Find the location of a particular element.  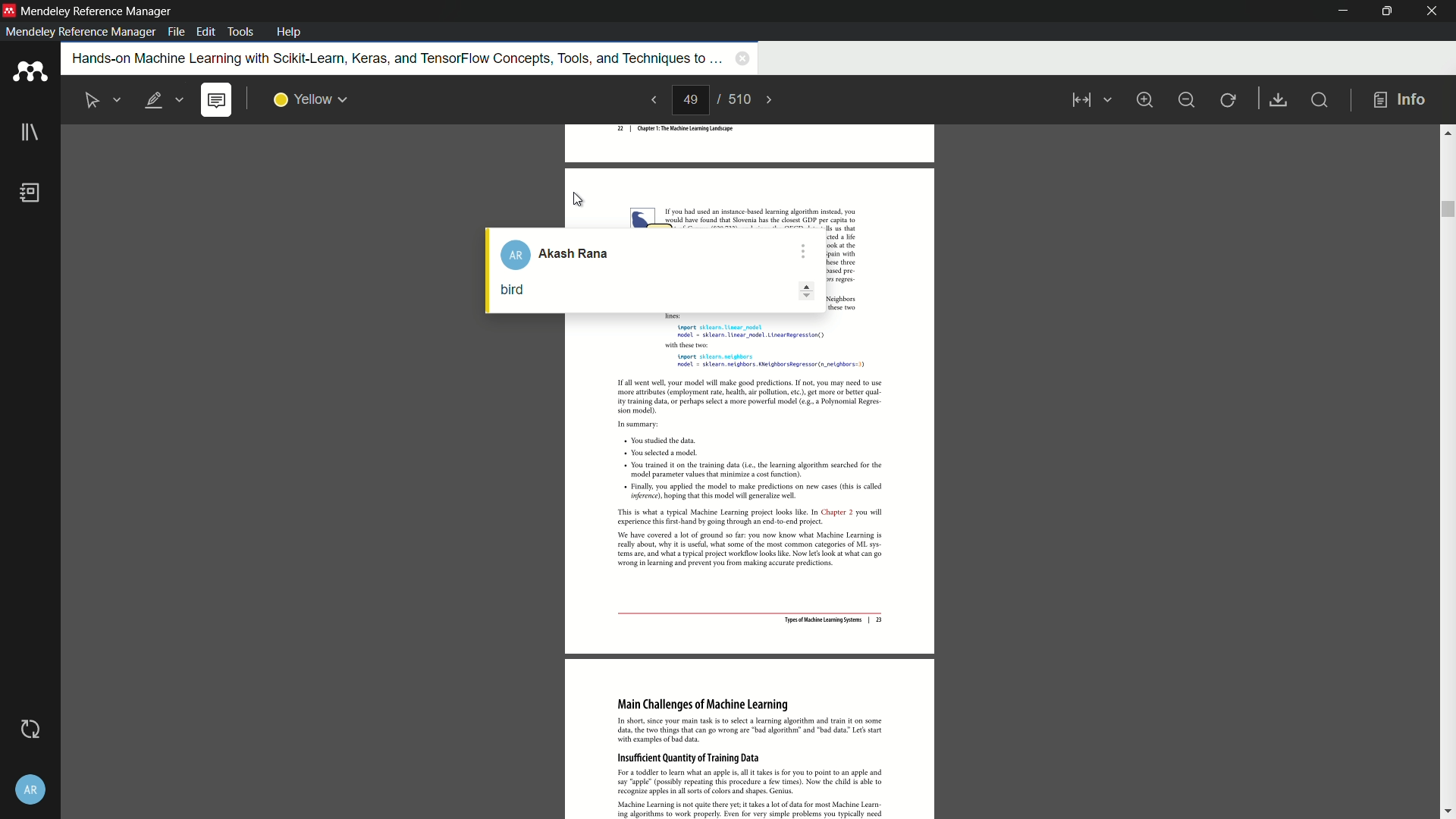

tools menu is located at coordinates (242, 30).